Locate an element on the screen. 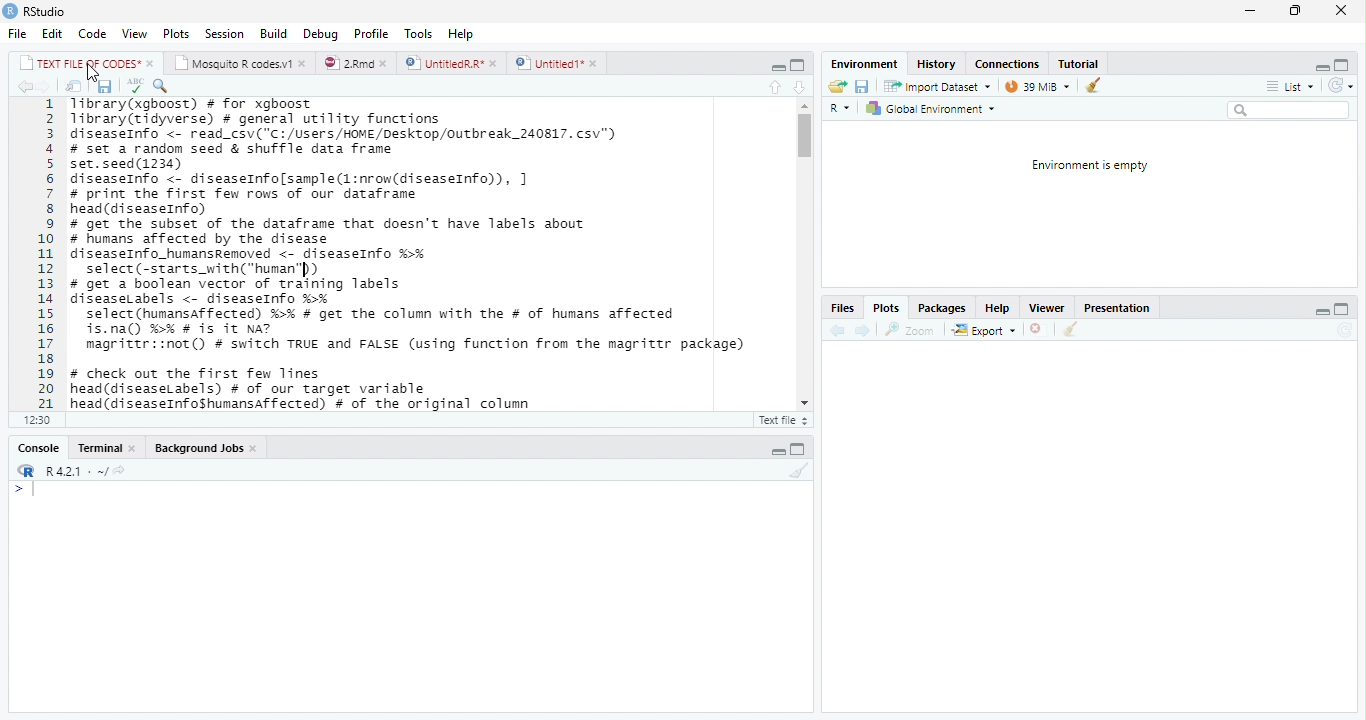 The image size is (1366, 720). Clean is located at coordinates (795, 471).